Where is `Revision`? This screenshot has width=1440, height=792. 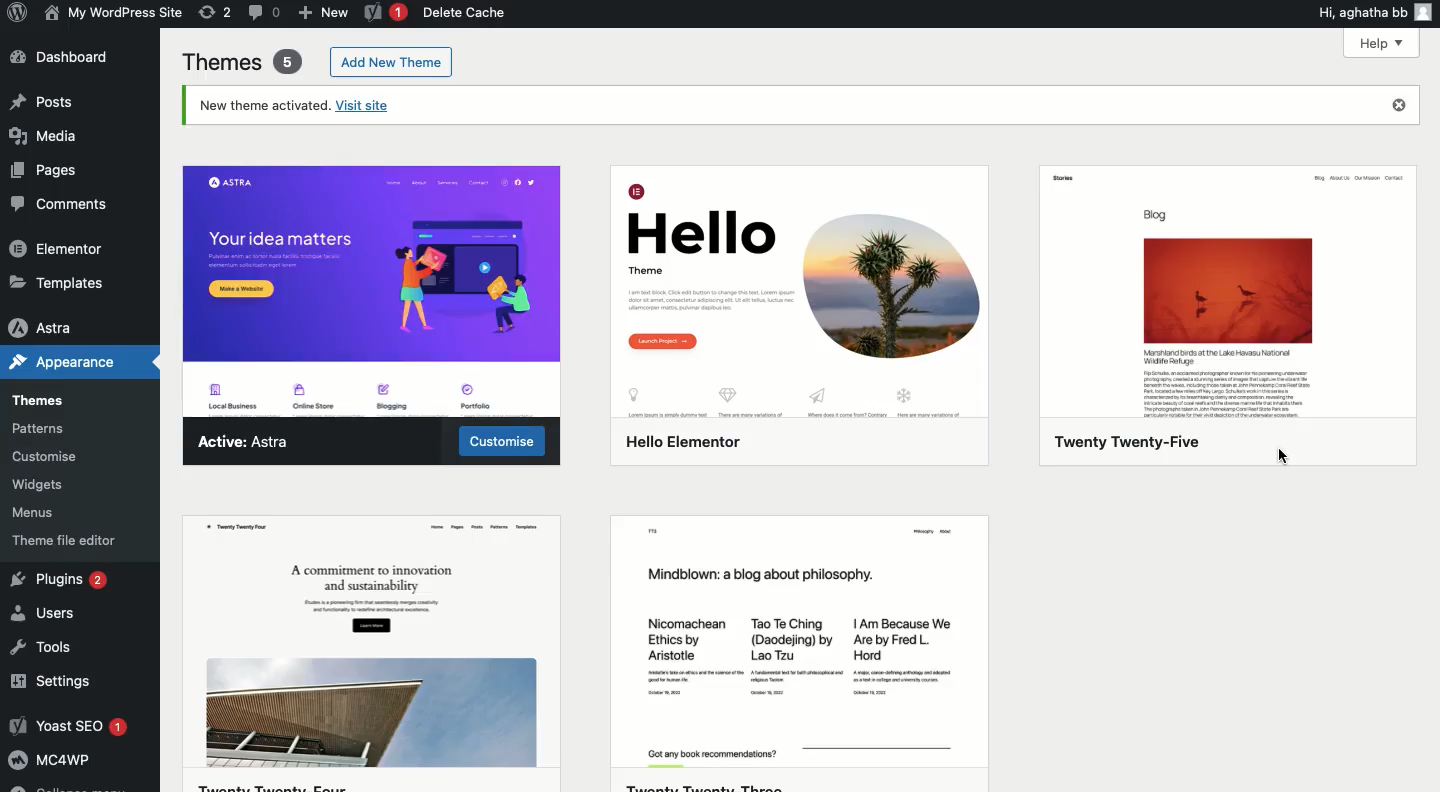
Revision is located at coordinates (217, 11).